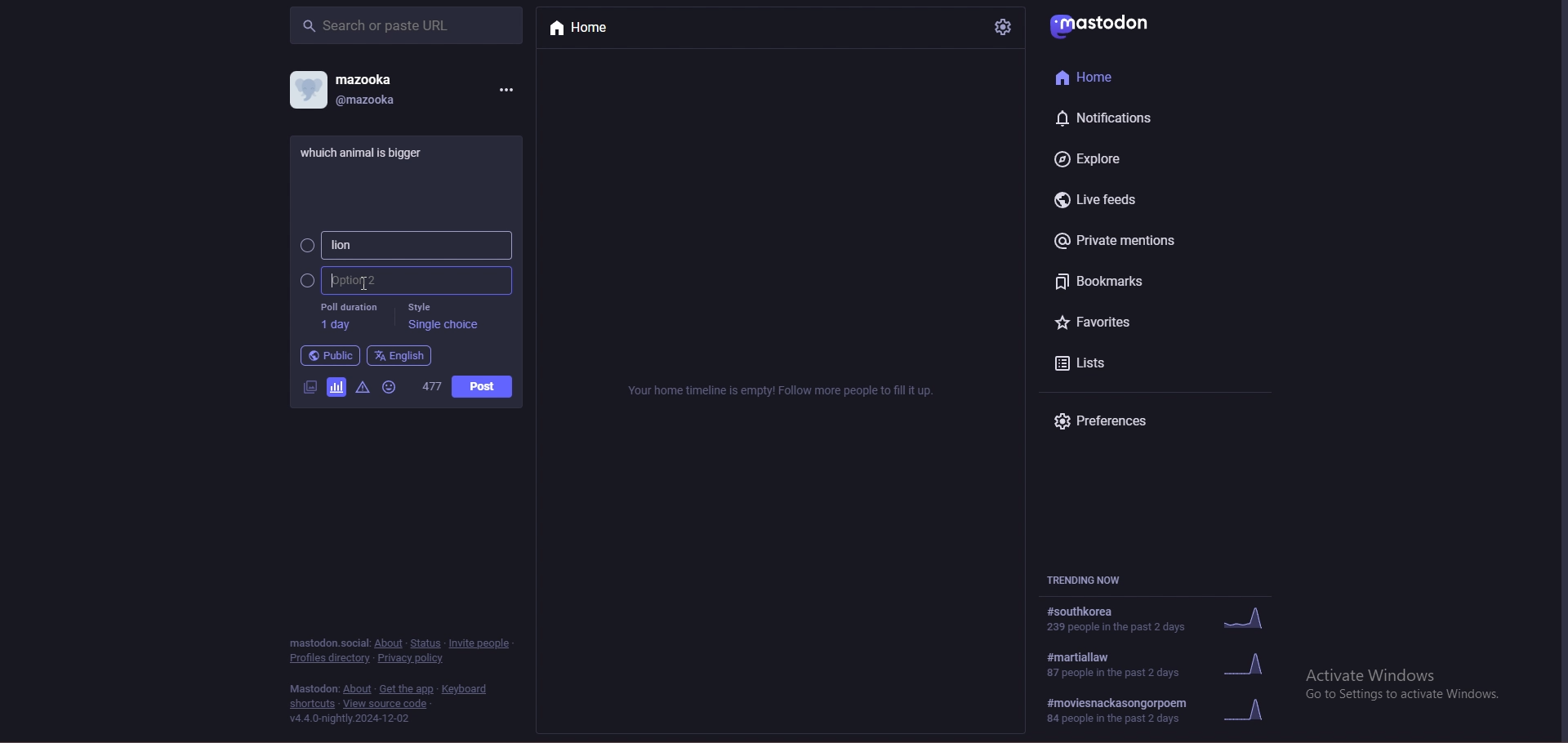 This screenshot has width=1568, height=743. Describe the element at coordinates (390, 704) in the screenshot. I see `View source code` at that location.